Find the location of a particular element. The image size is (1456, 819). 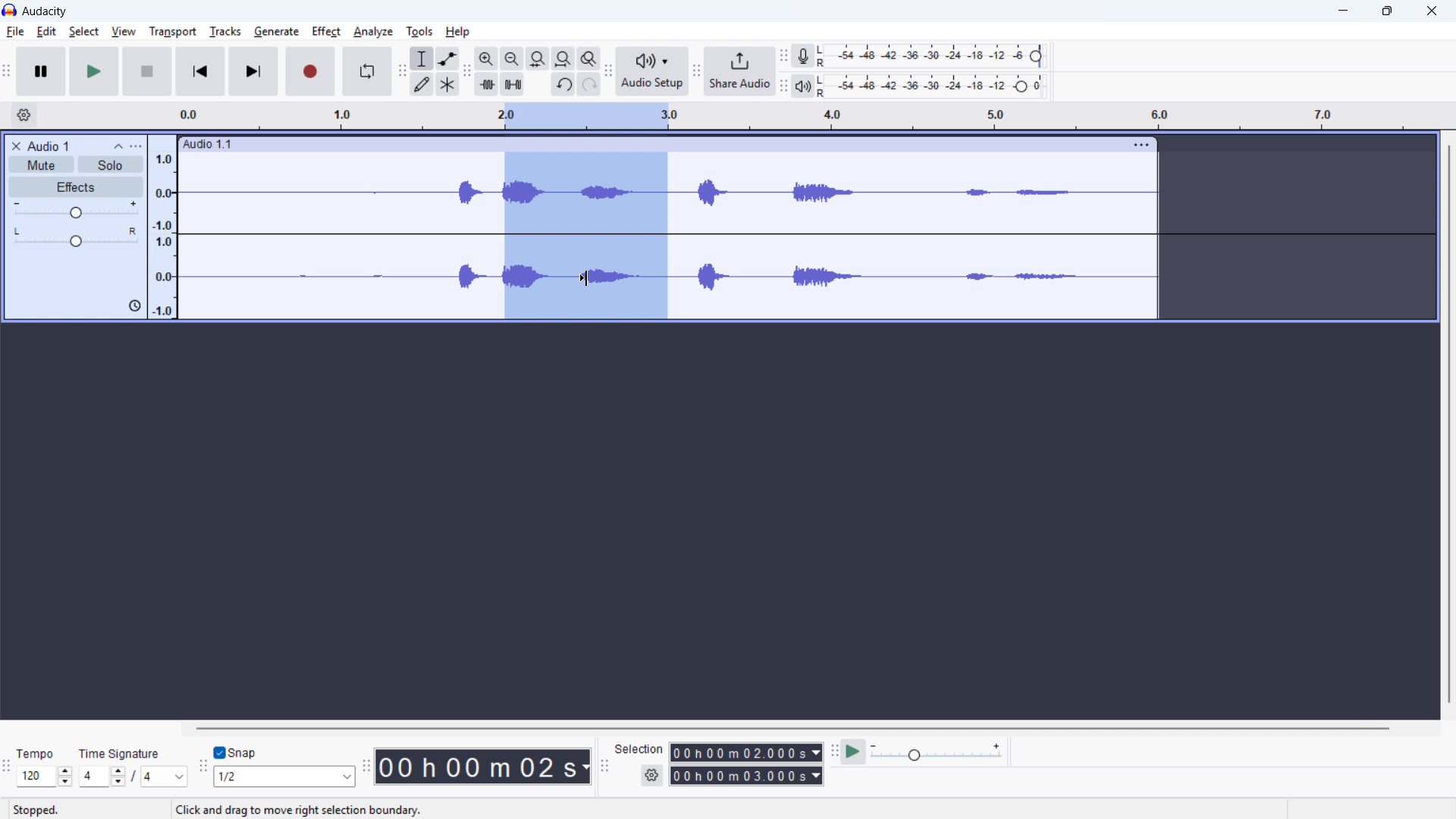

Selection start time is located at coordinates (747, 752).